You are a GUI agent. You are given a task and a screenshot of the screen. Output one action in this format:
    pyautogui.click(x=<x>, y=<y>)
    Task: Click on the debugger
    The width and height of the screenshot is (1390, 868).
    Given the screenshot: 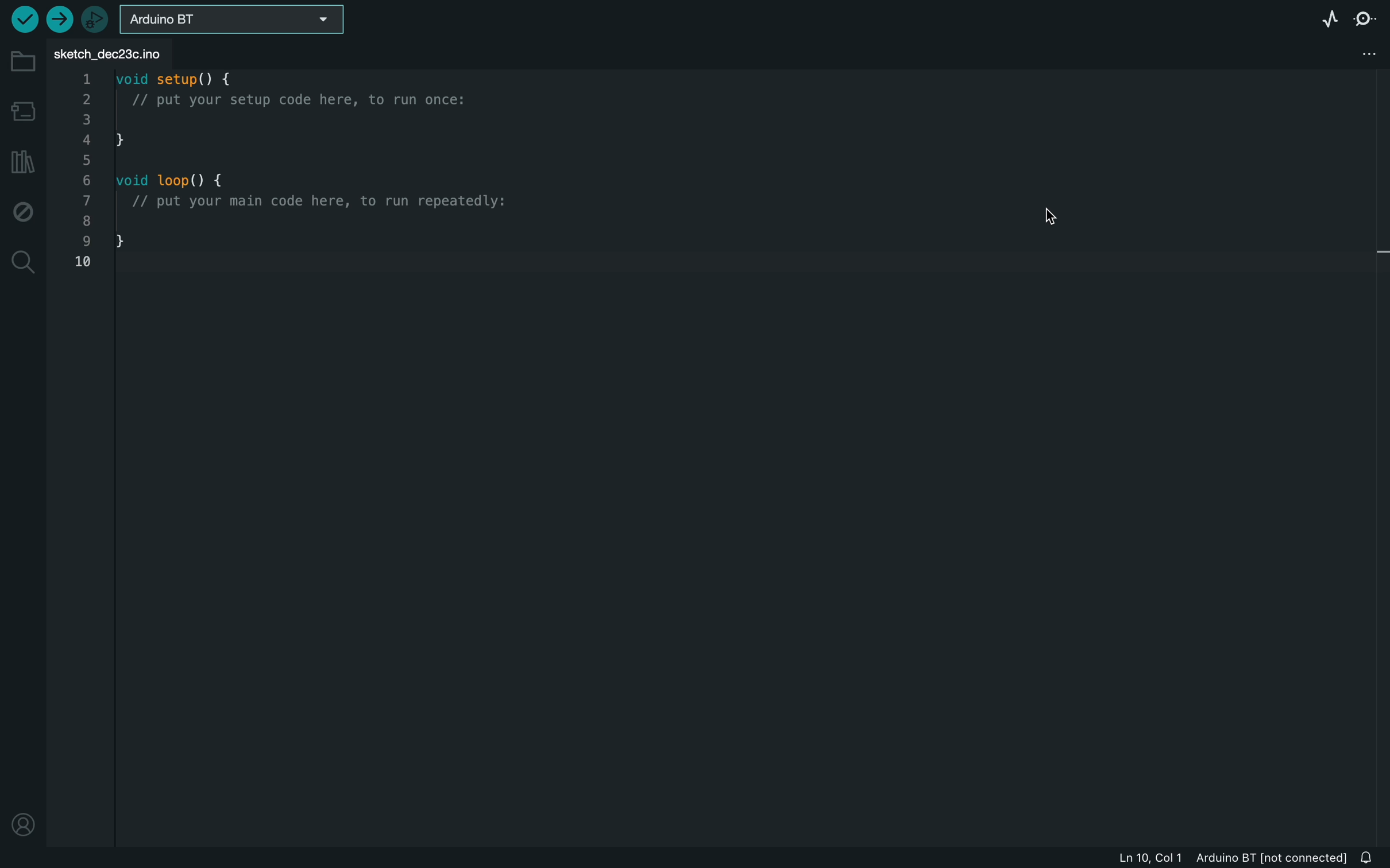 What is the action you would take?
    pyautogui.click(x=93, y=19)
    